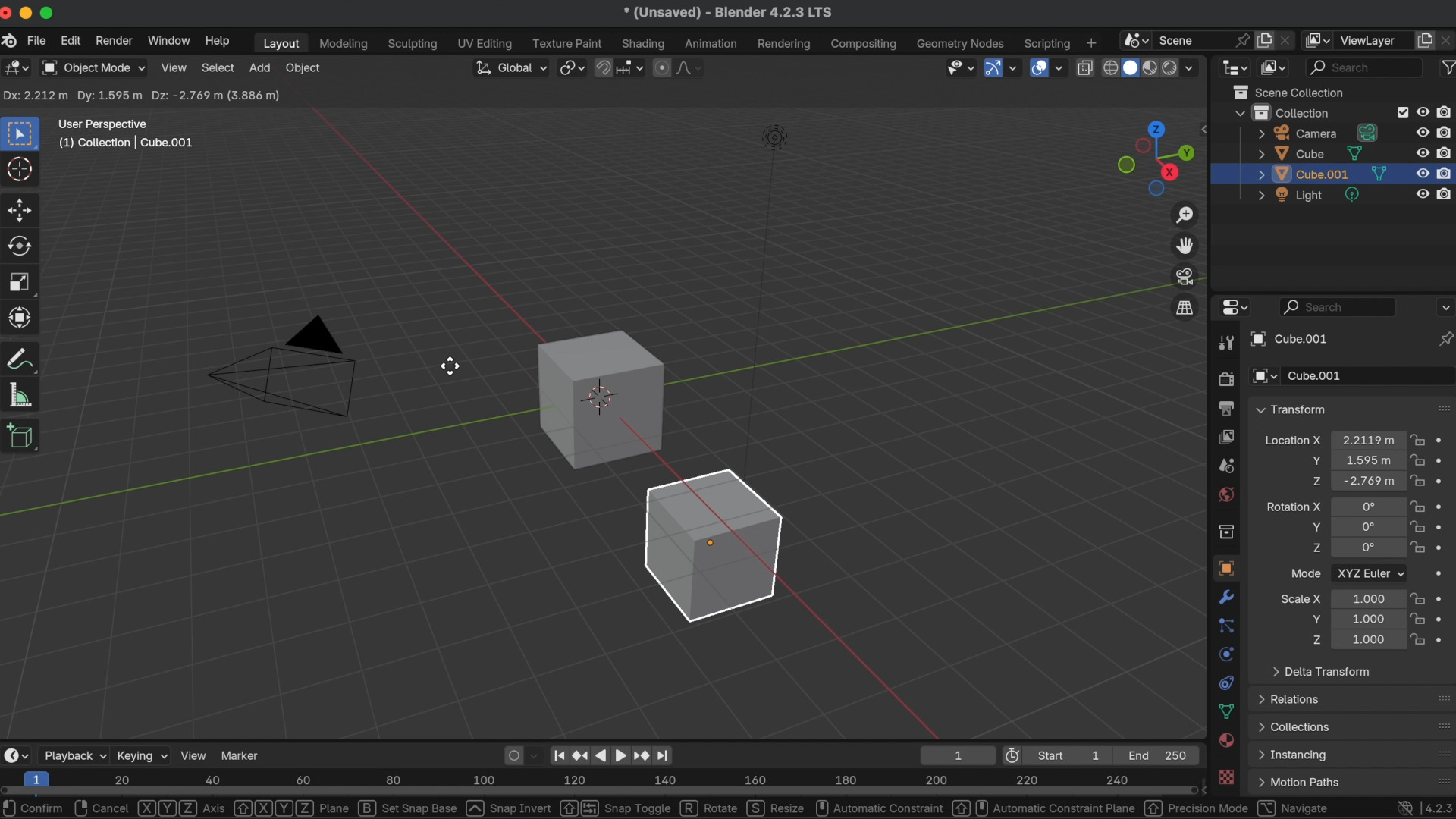 The height and width of the screenshot is (819, 1456). What do you see at coordinates (604, 66) in the screenshot?
I see `snap` at bounding box center [604, 66].